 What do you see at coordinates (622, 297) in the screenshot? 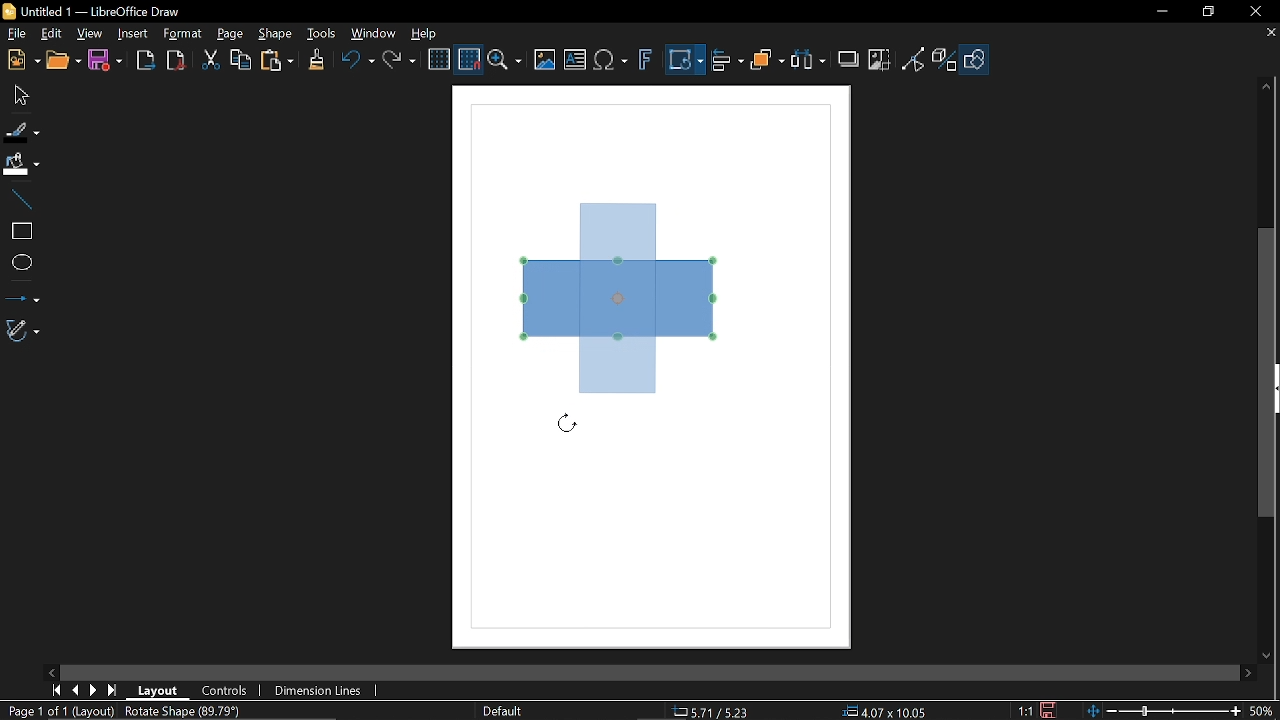
I see `Rectangle (selected diagram)` at bounding box center [622, 297].